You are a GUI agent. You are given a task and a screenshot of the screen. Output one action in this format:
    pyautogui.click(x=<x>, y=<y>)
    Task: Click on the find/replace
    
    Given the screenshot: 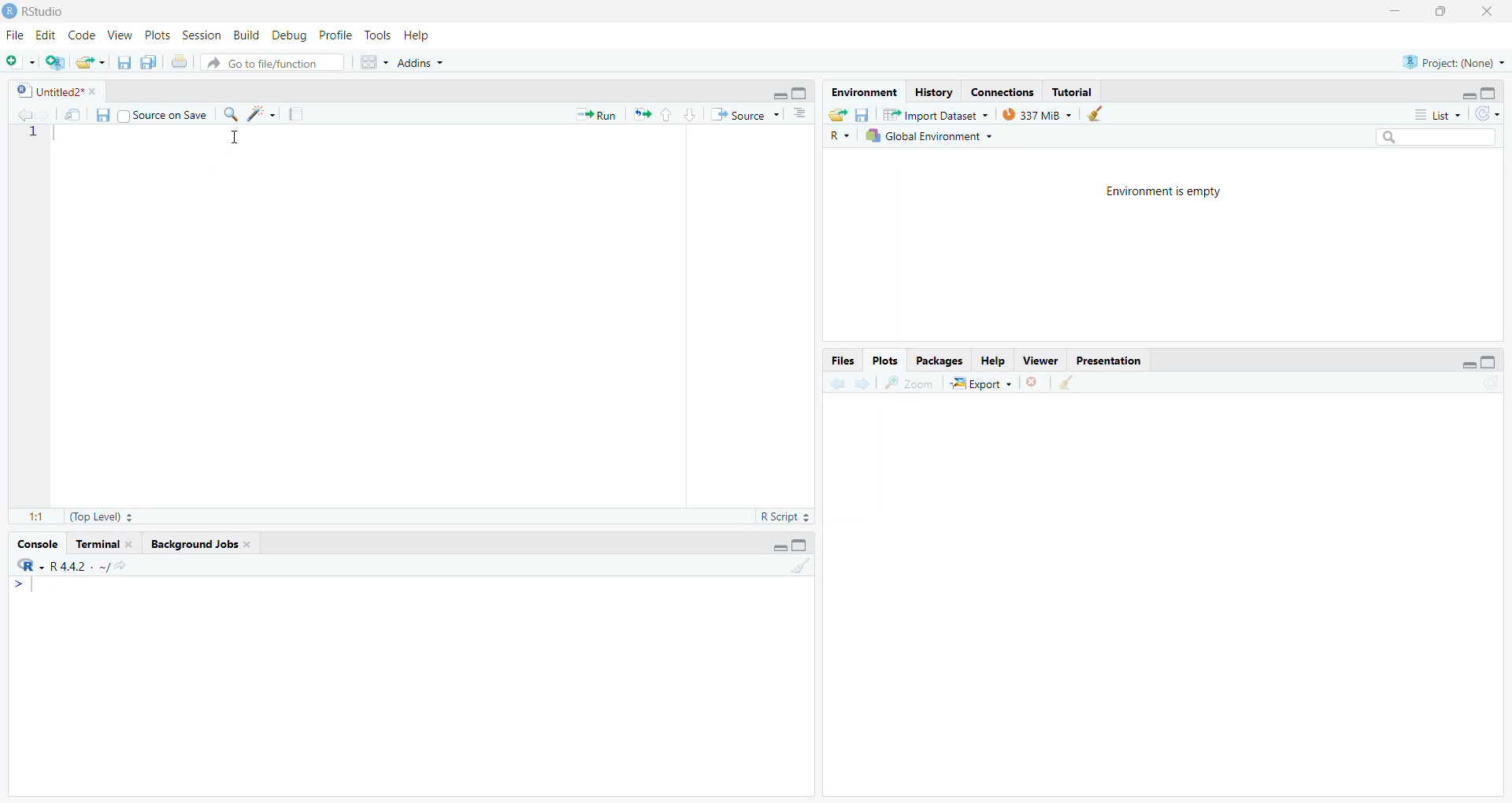 What is the action you would take?
    pyautogui.click(x=230, y=114)
    